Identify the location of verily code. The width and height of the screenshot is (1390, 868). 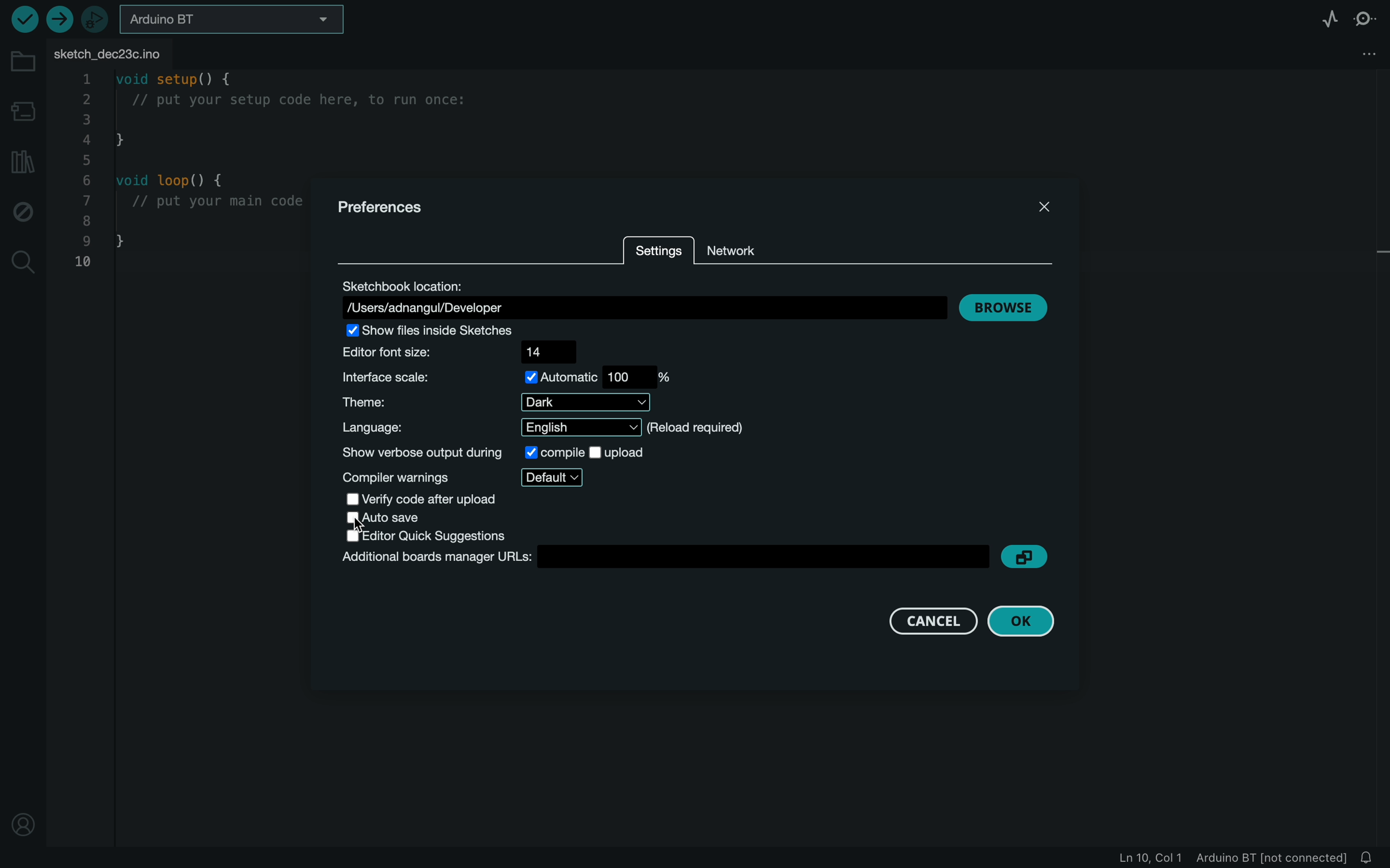
(445, 498).